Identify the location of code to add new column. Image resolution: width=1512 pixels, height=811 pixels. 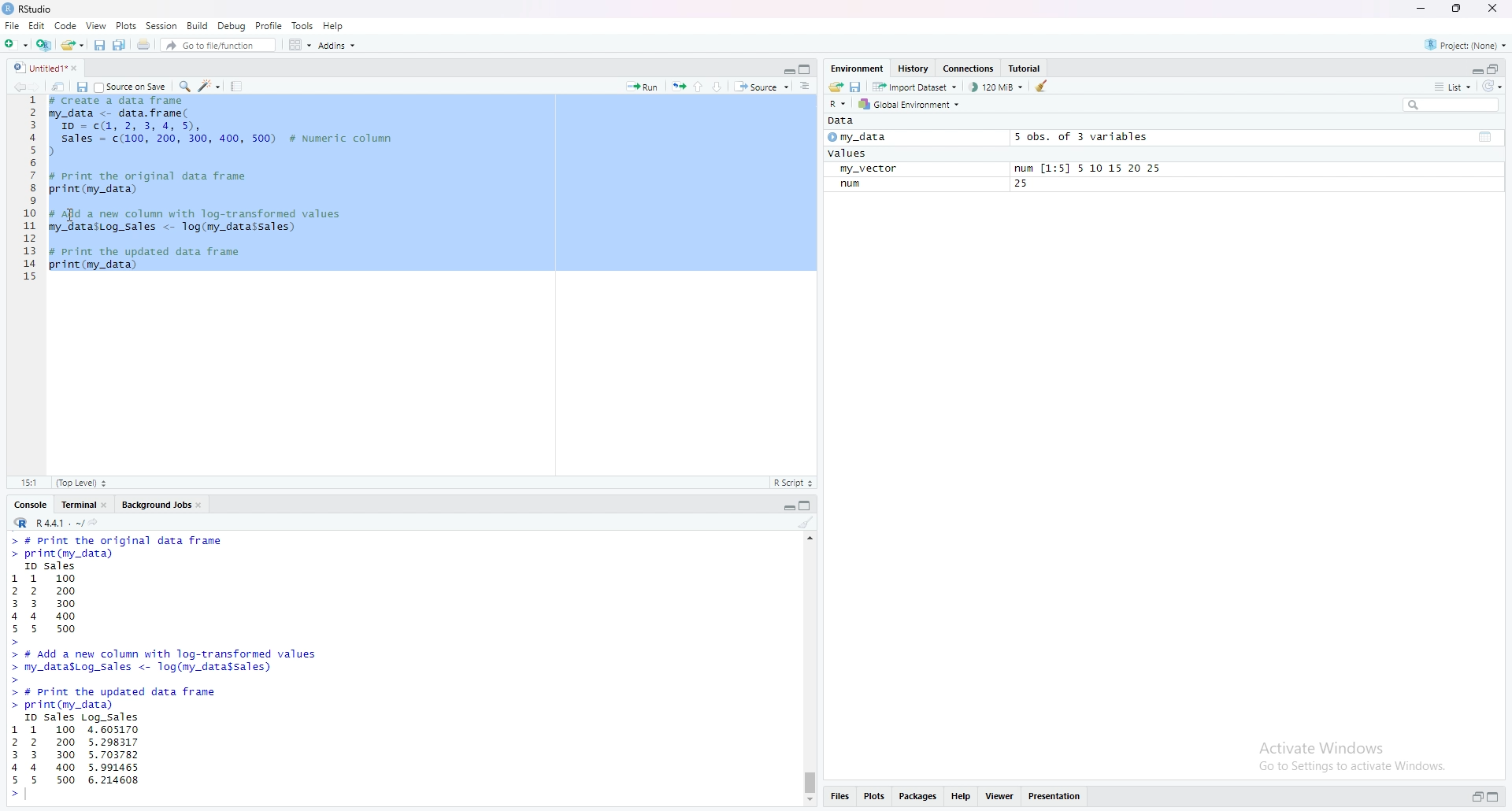
(183, 660).